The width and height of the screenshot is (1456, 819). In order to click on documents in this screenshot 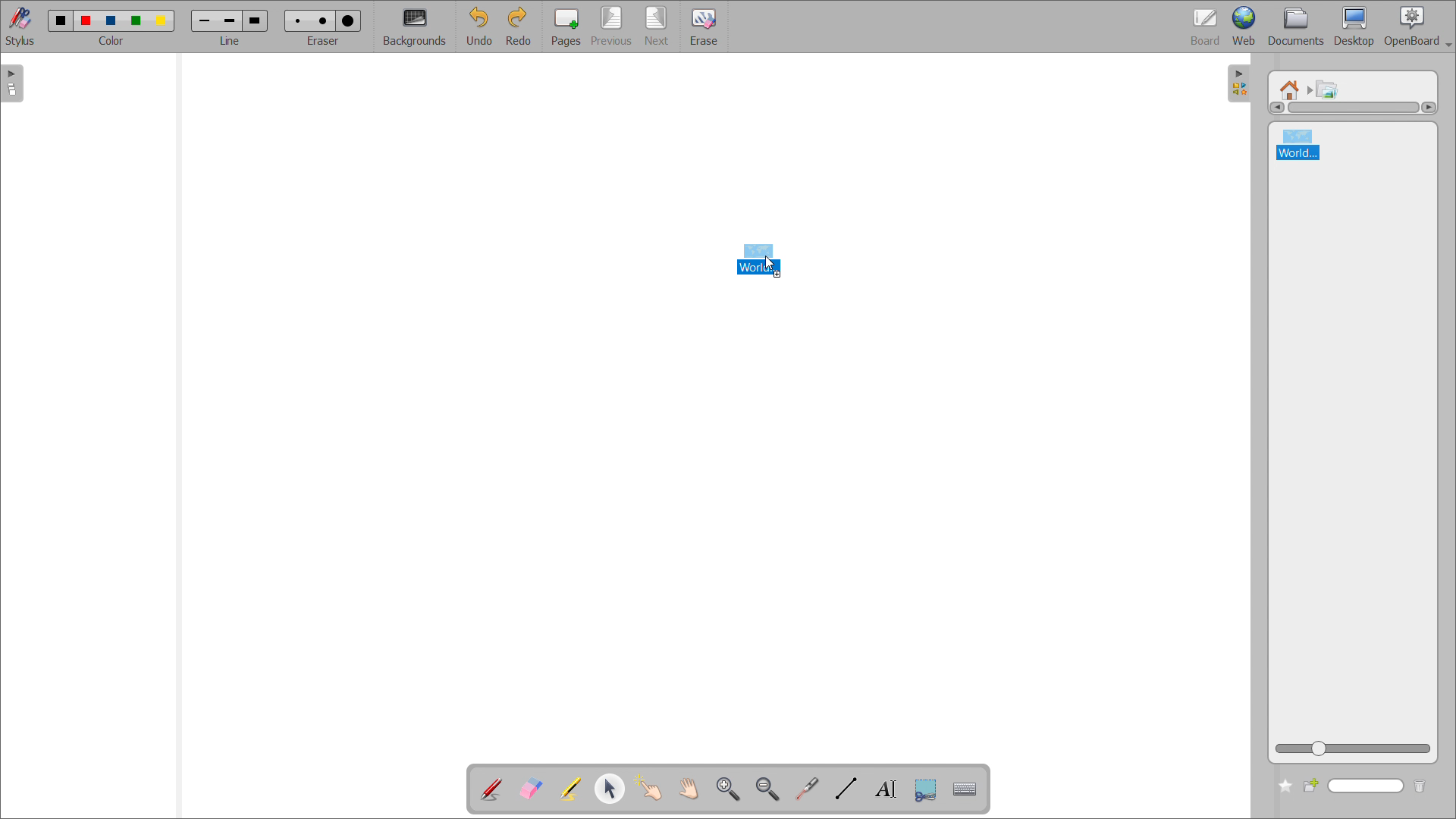, I will do `click(1296, 27)`.